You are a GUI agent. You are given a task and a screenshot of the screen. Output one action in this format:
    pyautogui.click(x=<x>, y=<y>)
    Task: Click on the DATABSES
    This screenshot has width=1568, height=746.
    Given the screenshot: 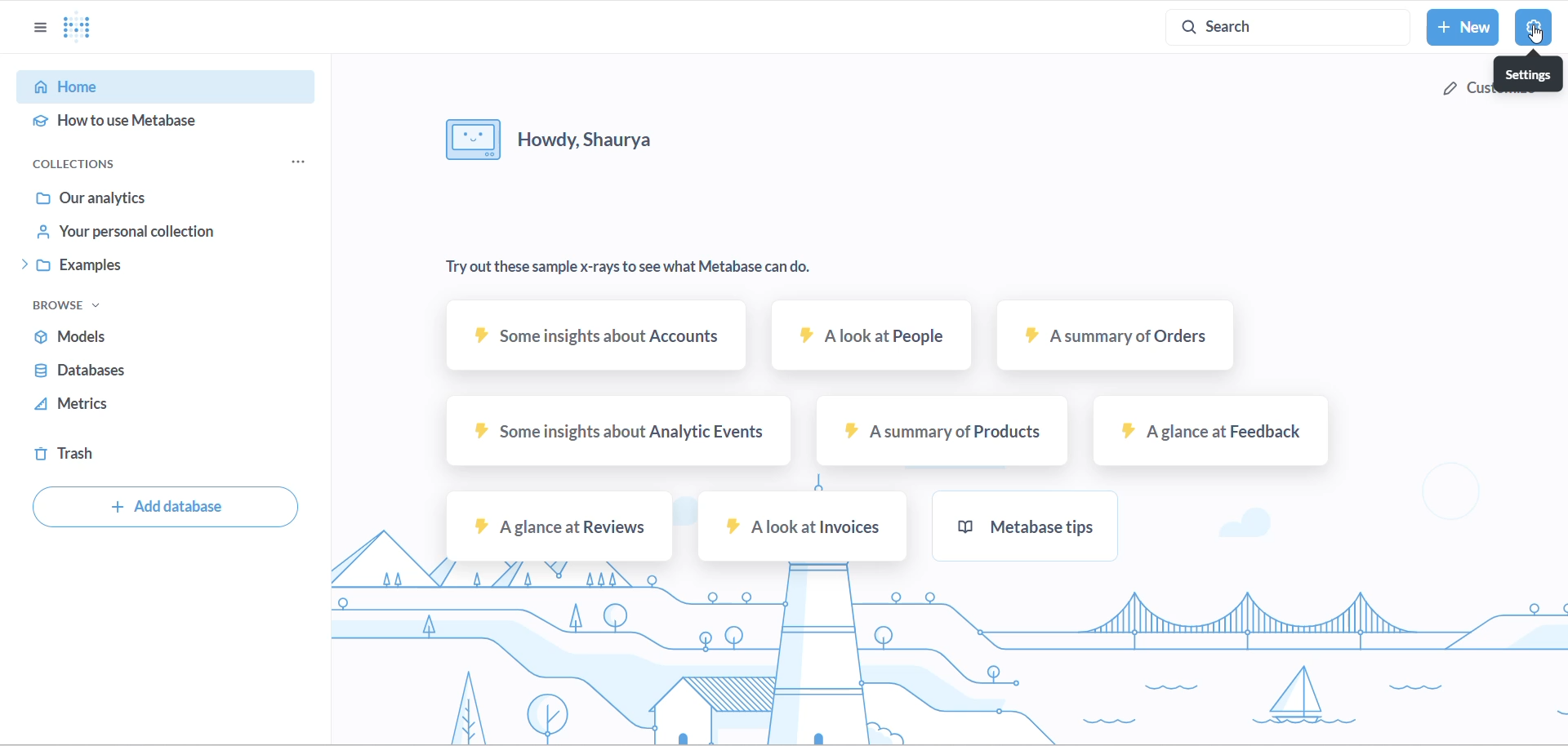 What is the action you would take?
    pyautogui.click(x=125, y=377)
    